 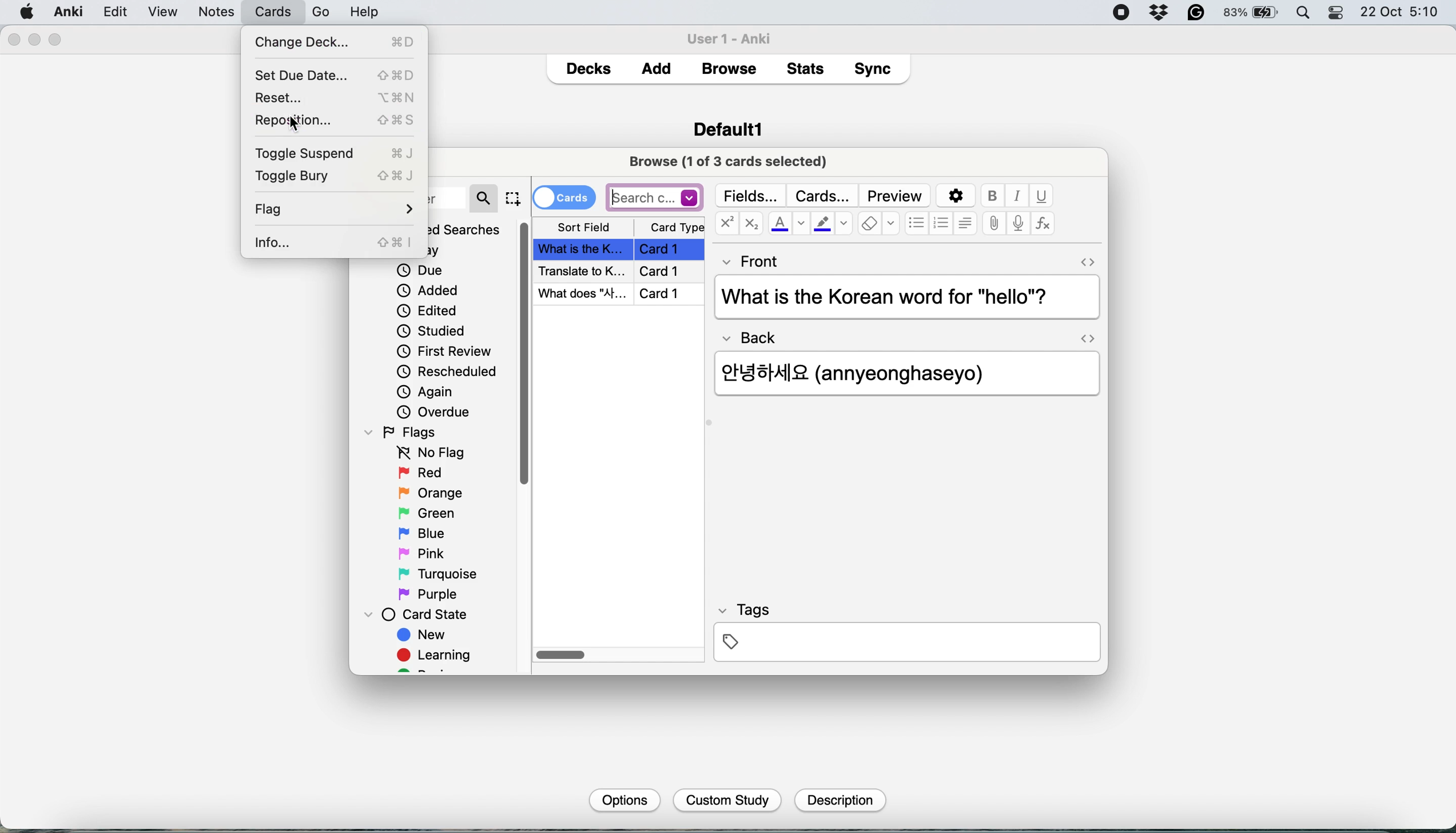 What do you see at coordinates (309, 11) in the screenshot?
I see `help` at bounding box center [309, 11].